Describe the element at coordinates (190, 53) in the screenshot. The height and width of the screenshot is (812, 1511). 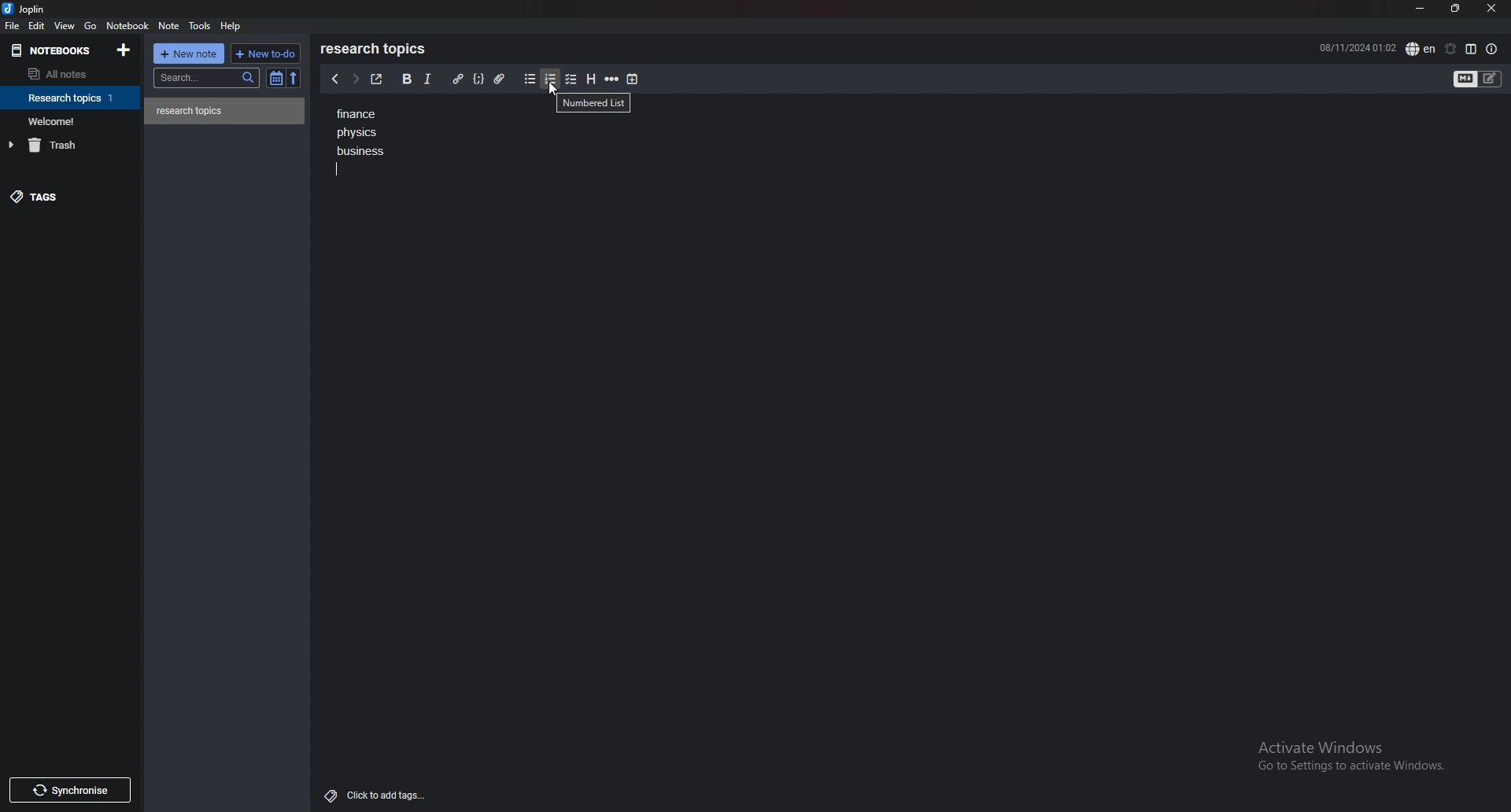
I see `new note` at that location.